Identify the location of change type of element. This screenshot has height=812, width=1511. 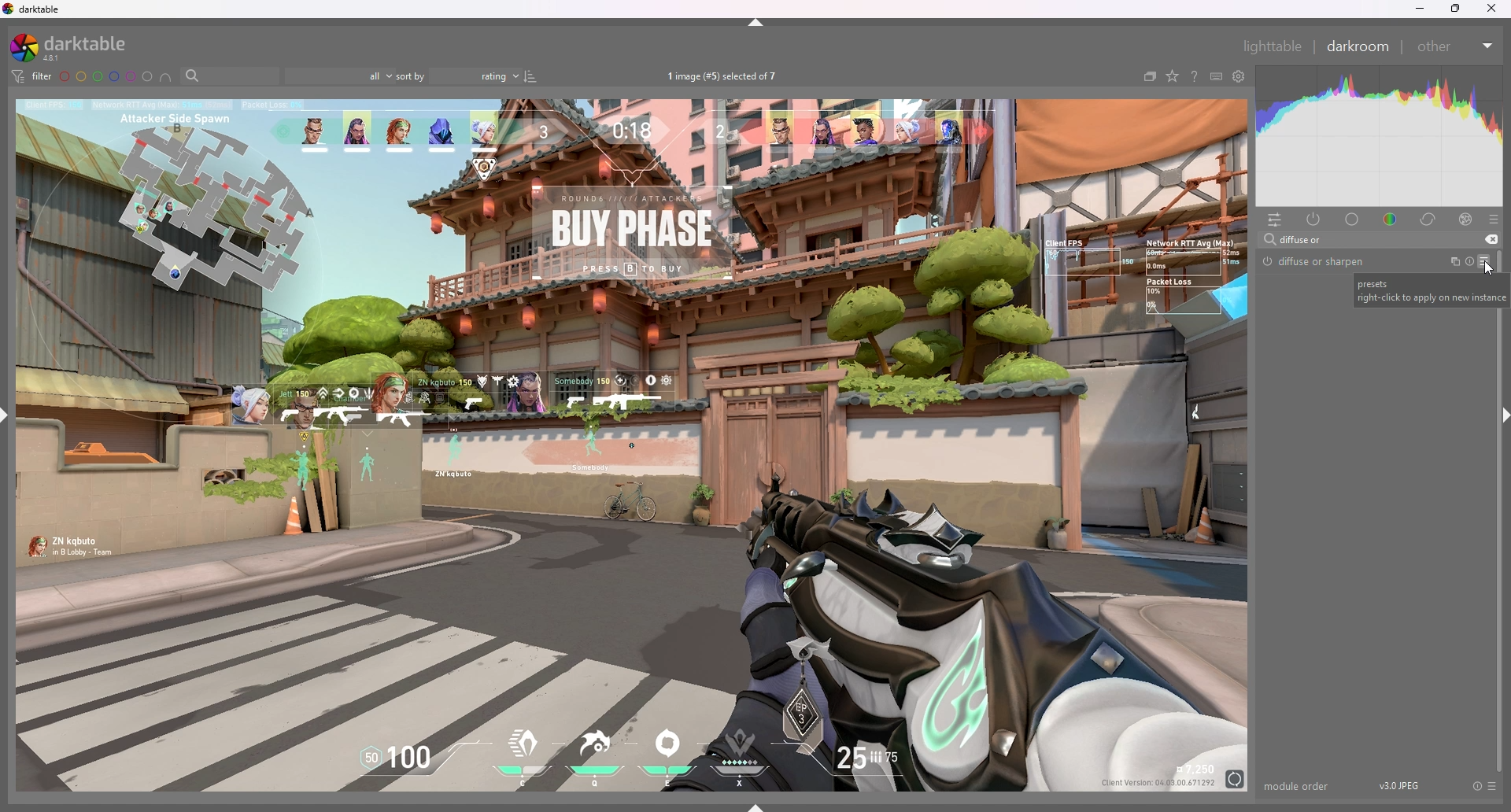
(1173, 76).